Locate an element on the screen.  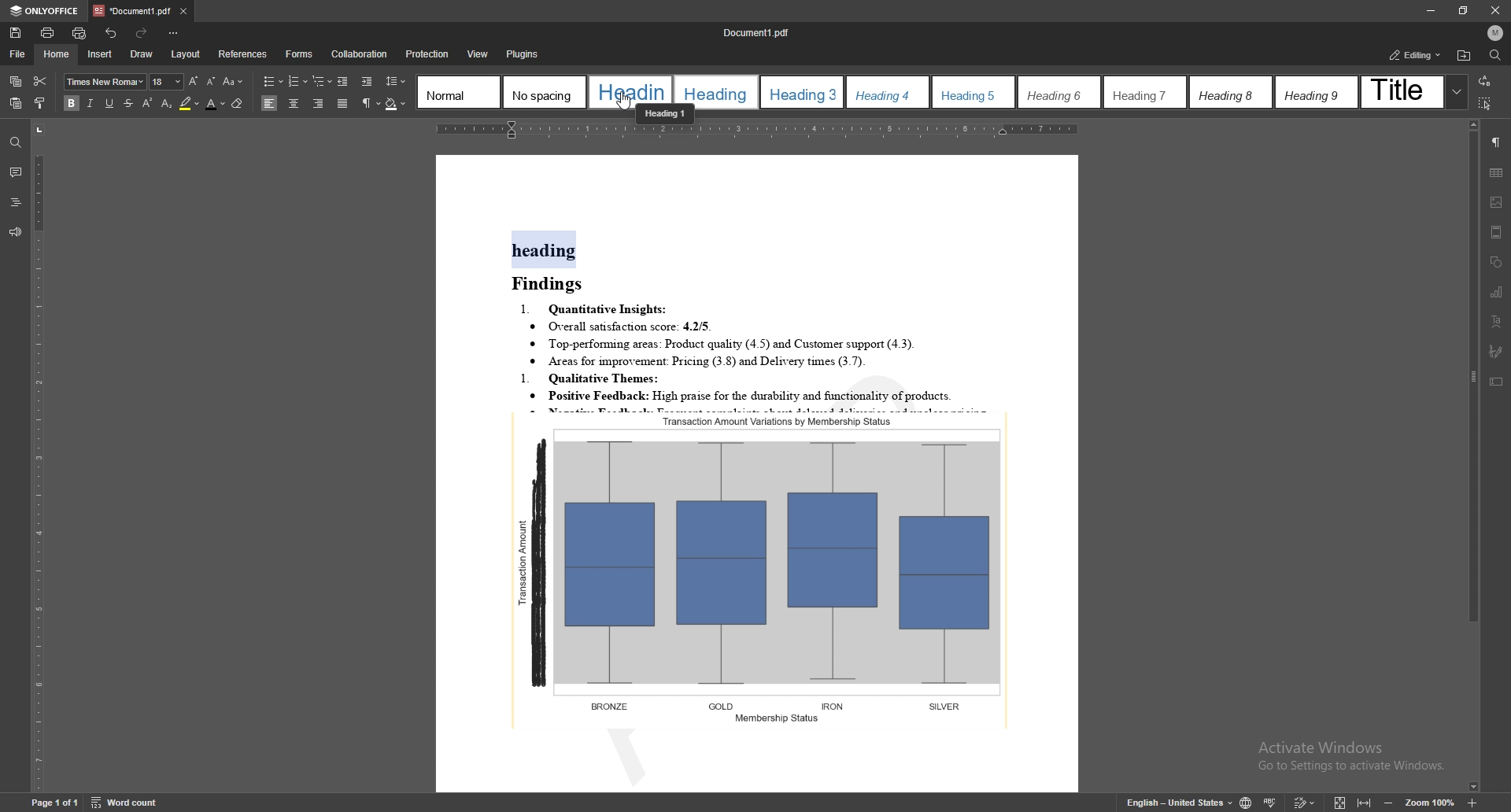
zoom in is located at coordinates (1475, 803).